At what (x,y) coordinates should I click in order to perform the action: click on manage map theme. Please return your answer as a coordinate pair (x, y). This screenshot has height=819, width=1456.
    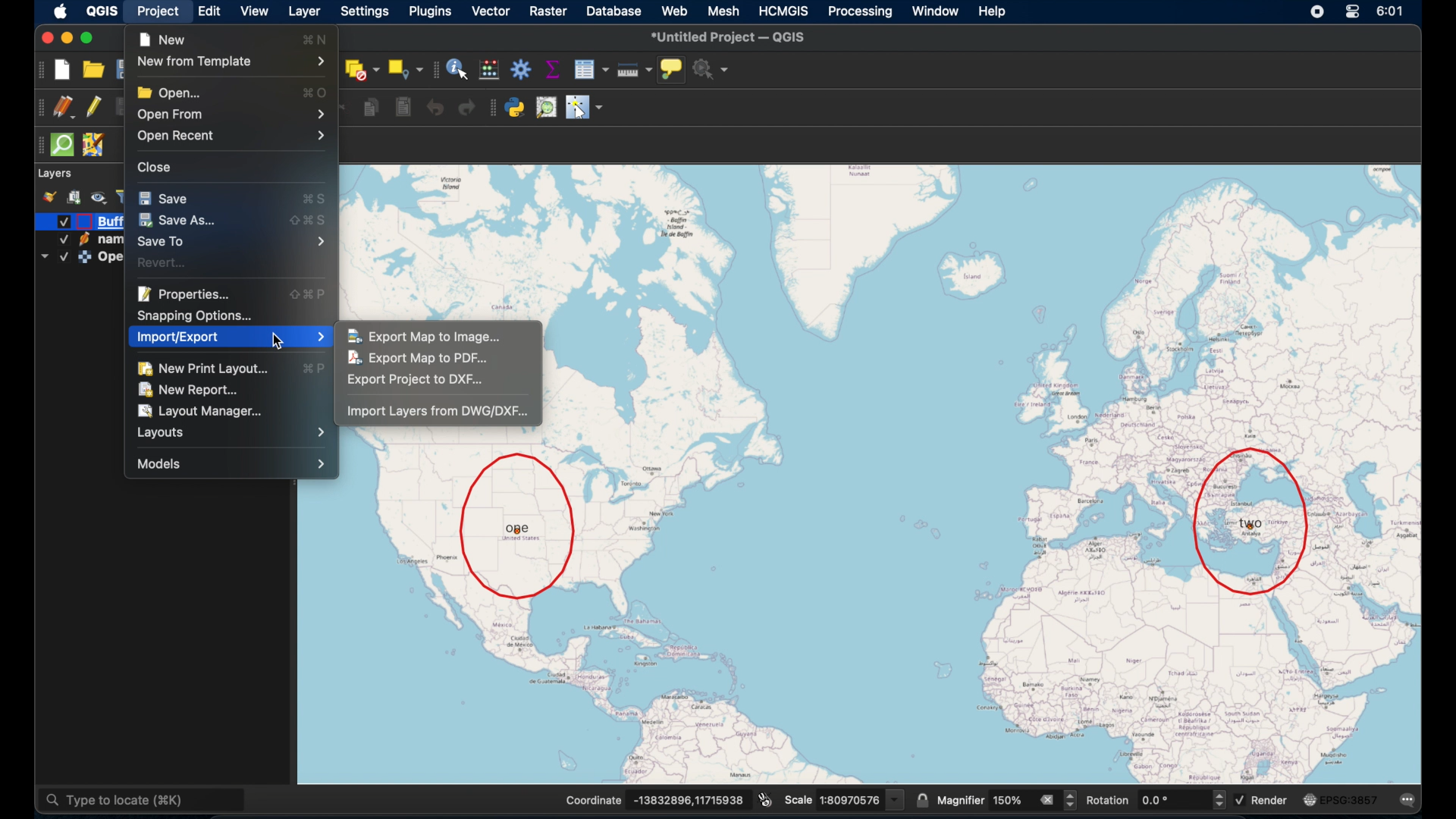
    Looking at the image, I should click on (99, 198).